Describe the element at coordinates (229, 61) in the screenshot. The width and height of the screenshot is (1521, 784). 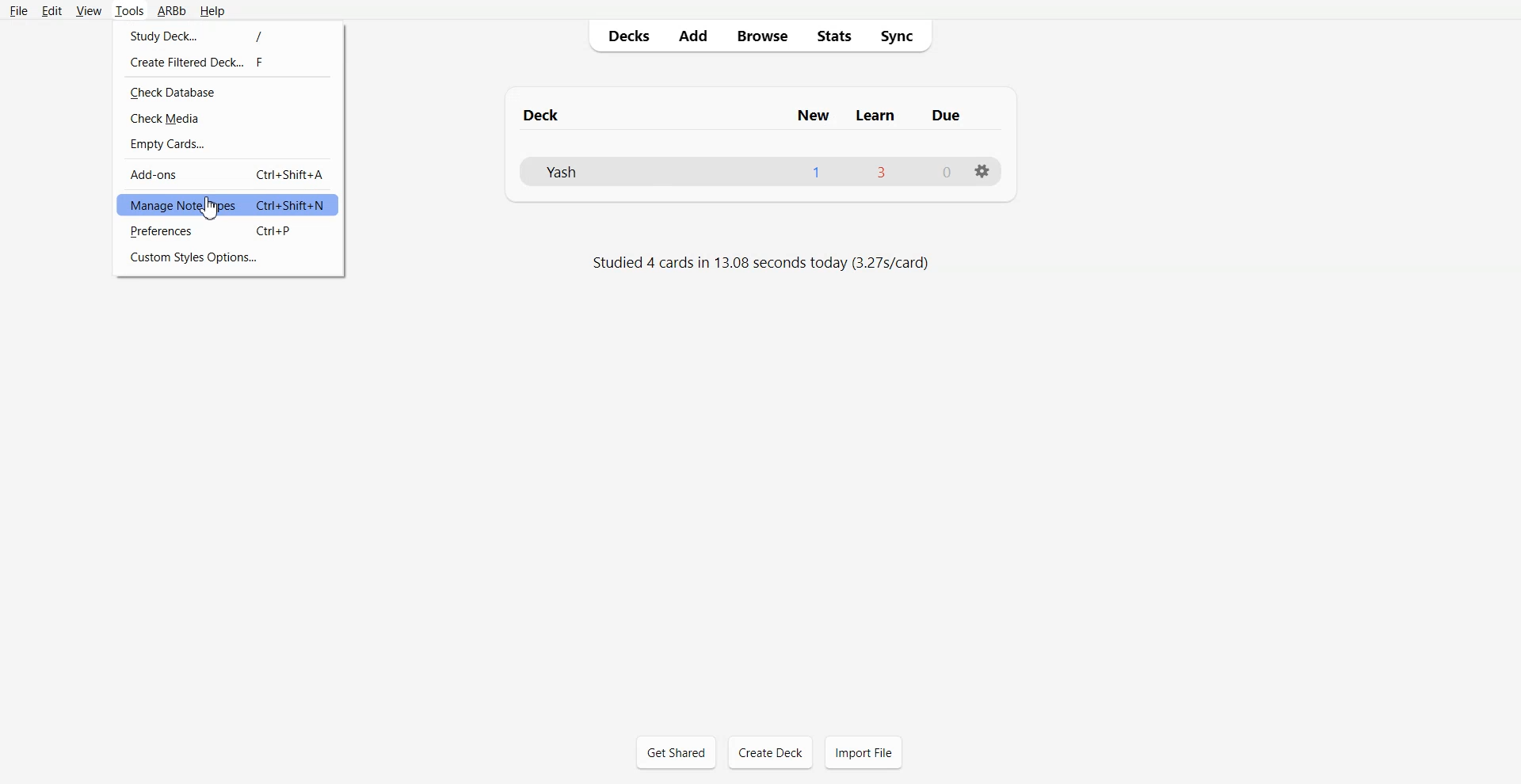
I see `Created Filtered Deck` at that location.